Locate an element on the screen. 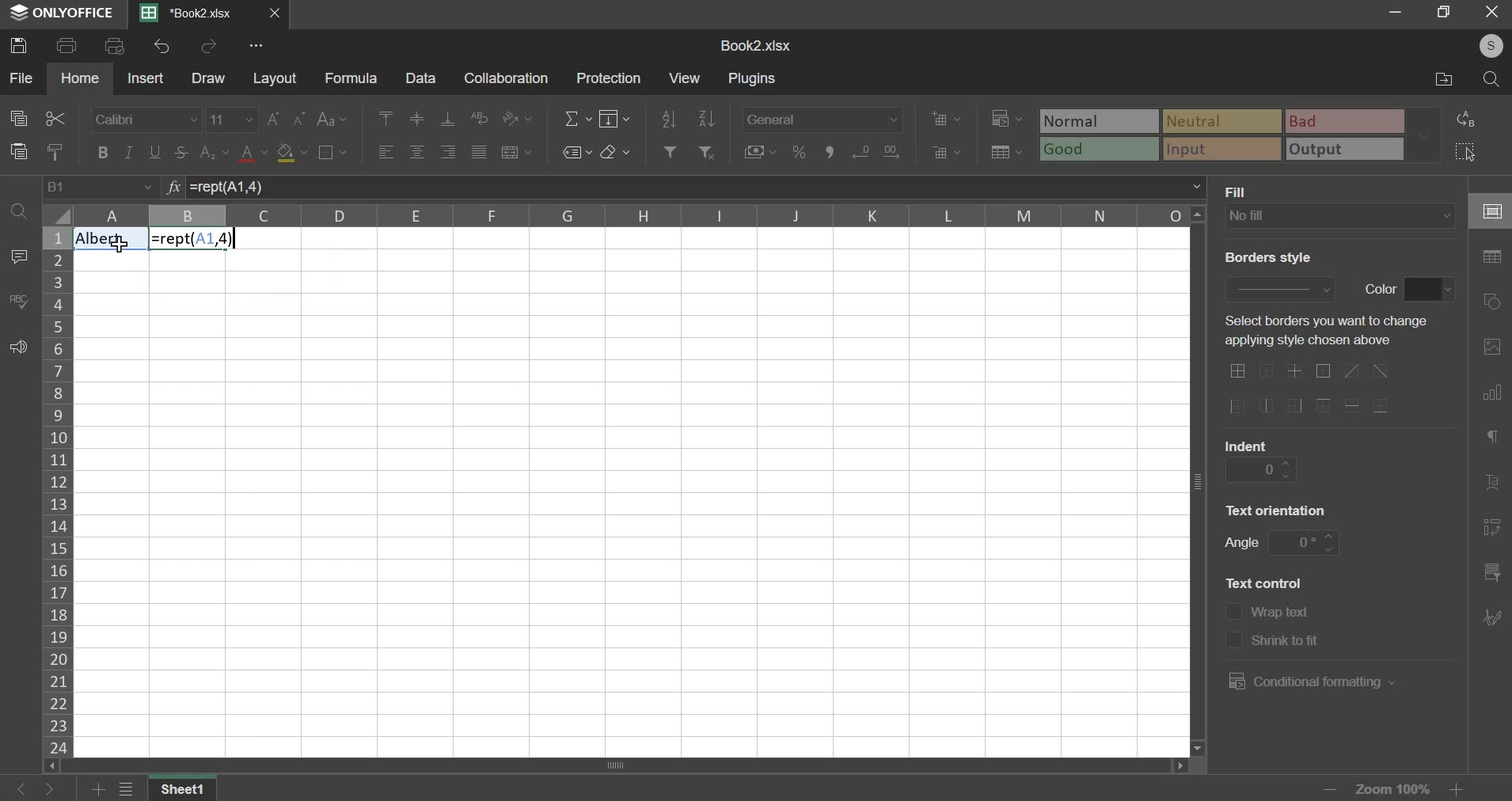 Image resolution: width=1512 pixels, height=801 pixels. Formula is located at coordinates (197, 241).